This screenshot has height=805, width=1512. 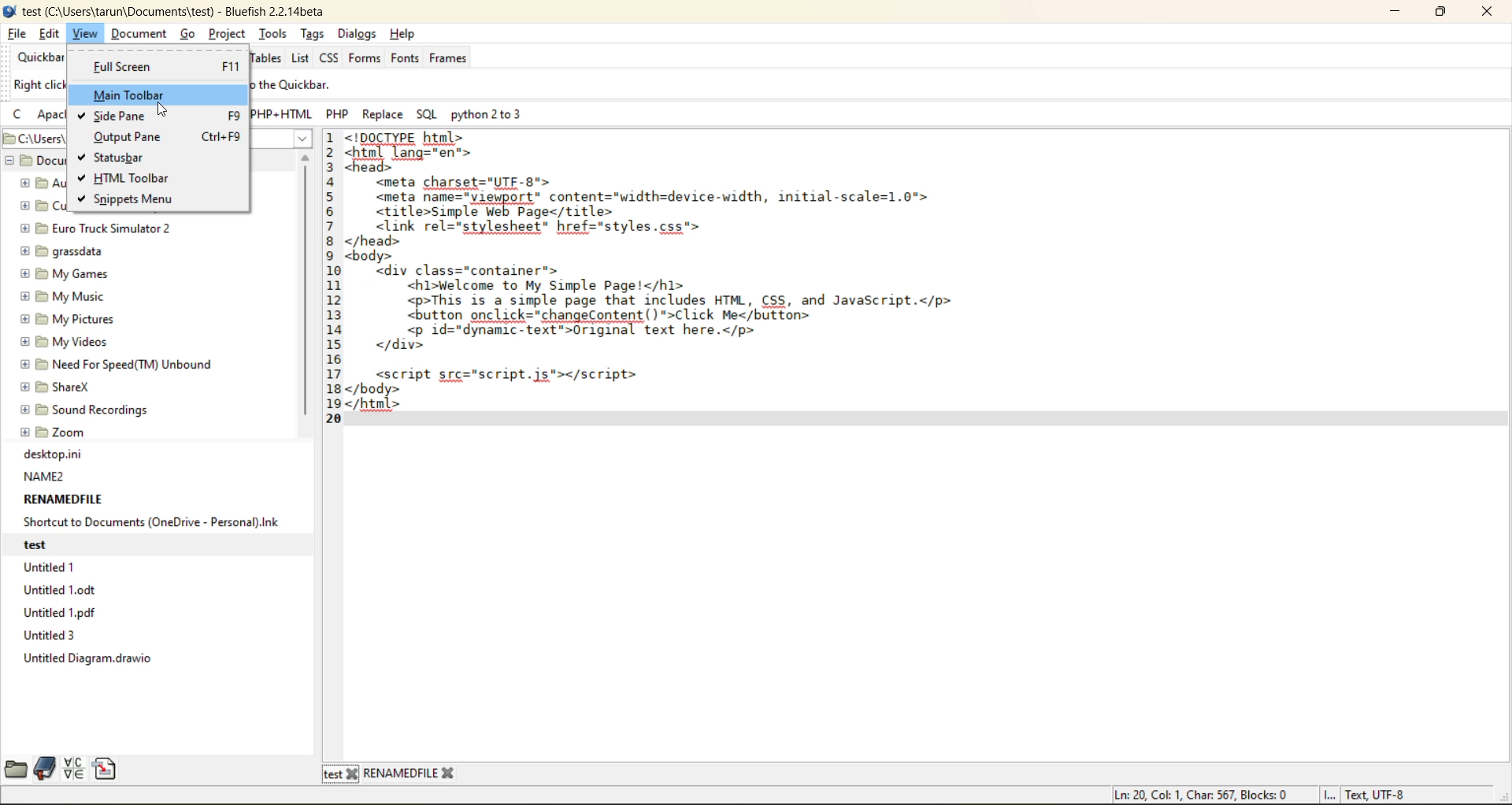 What do you see at coordinates (16, 768) in the screenshot?
I see `file browser` at bounding box center [16, 768].